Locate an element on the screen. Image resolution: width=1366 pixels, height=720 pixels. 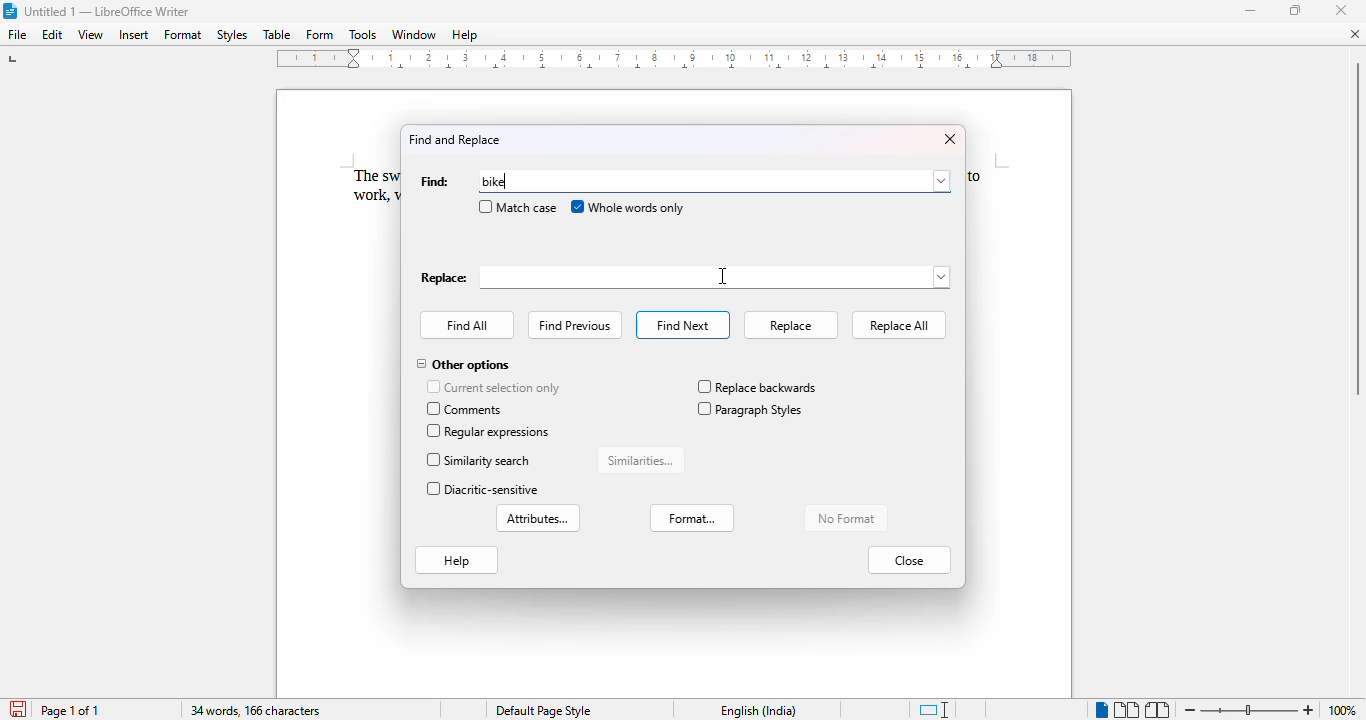
diacritic-sensitive is located at coordinates (483, 490).